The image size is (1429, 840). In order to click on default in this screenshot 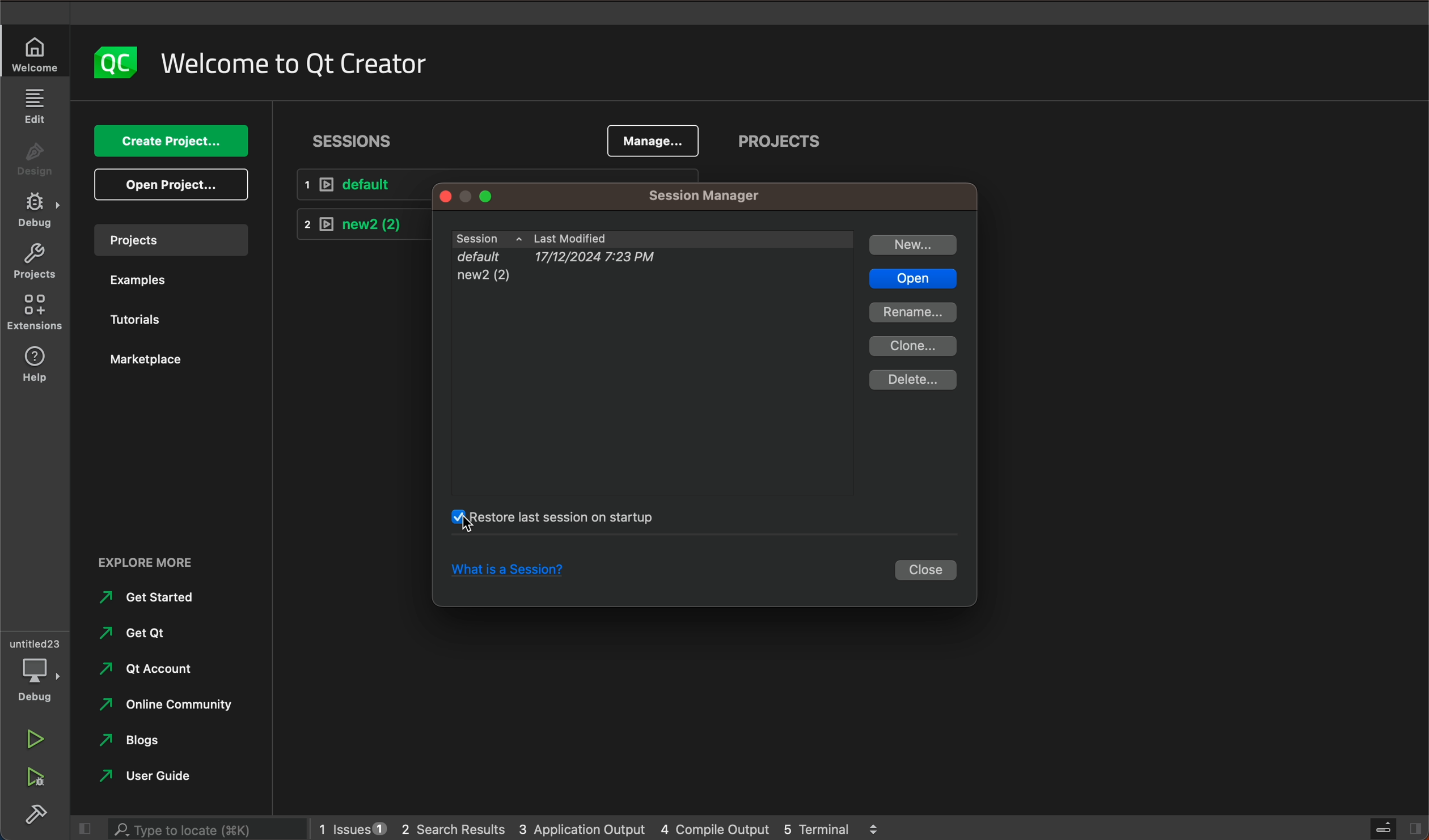, I will do `click(601, 257)`.